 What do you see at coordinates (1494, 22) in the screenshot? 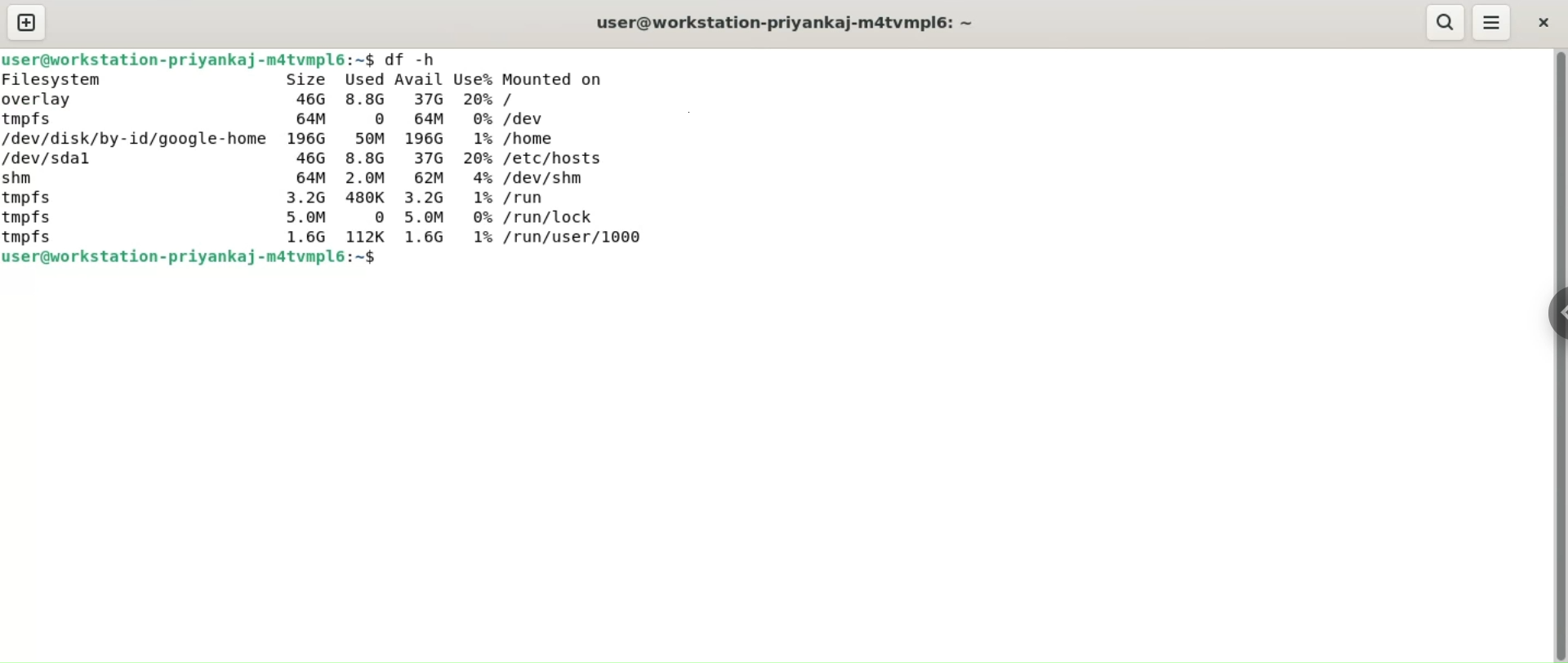
I see `menu` at bounding box center [1494, 22].